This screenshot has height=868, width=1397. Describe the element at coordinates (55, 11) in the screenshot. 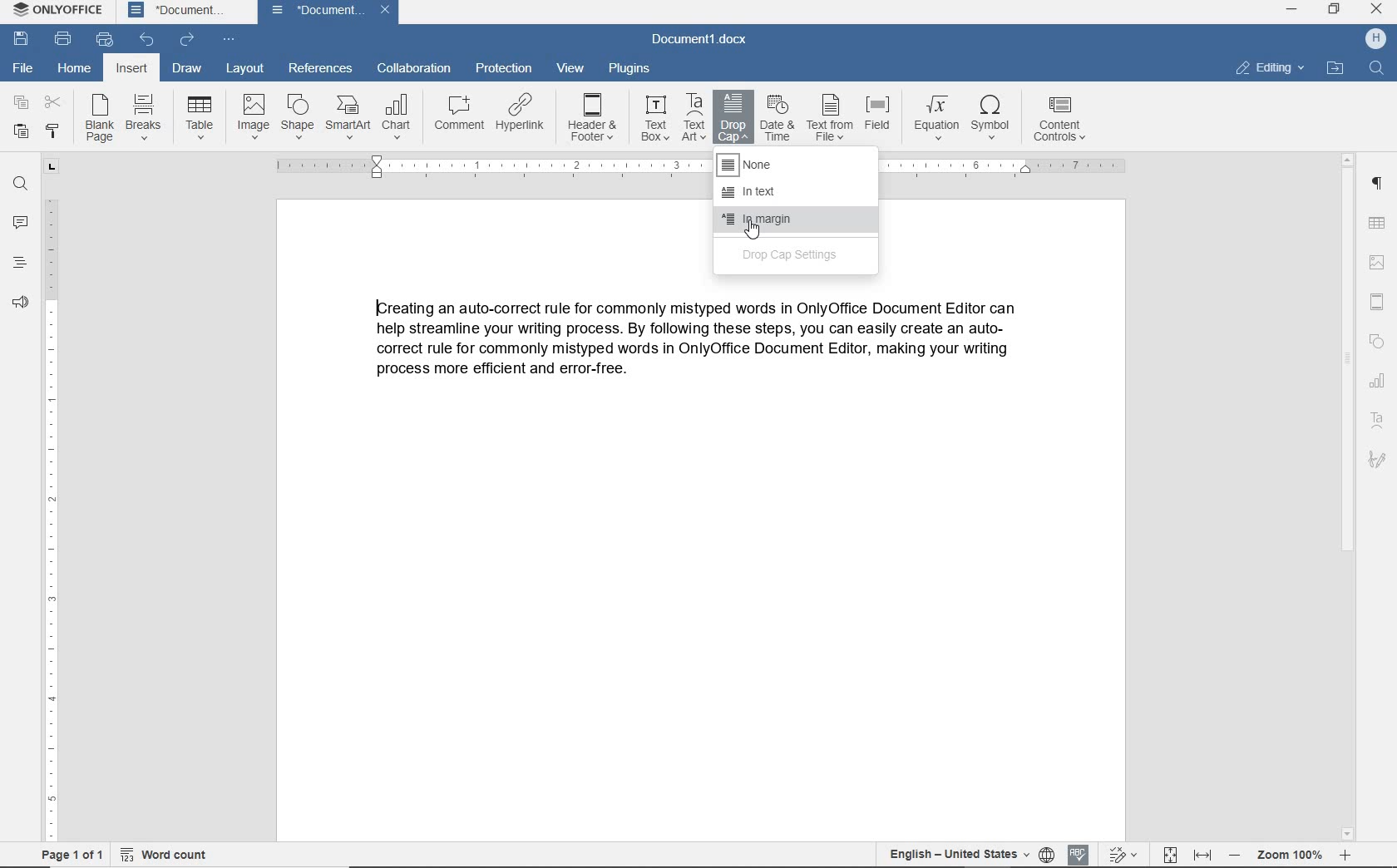

I see `system name` at that location.